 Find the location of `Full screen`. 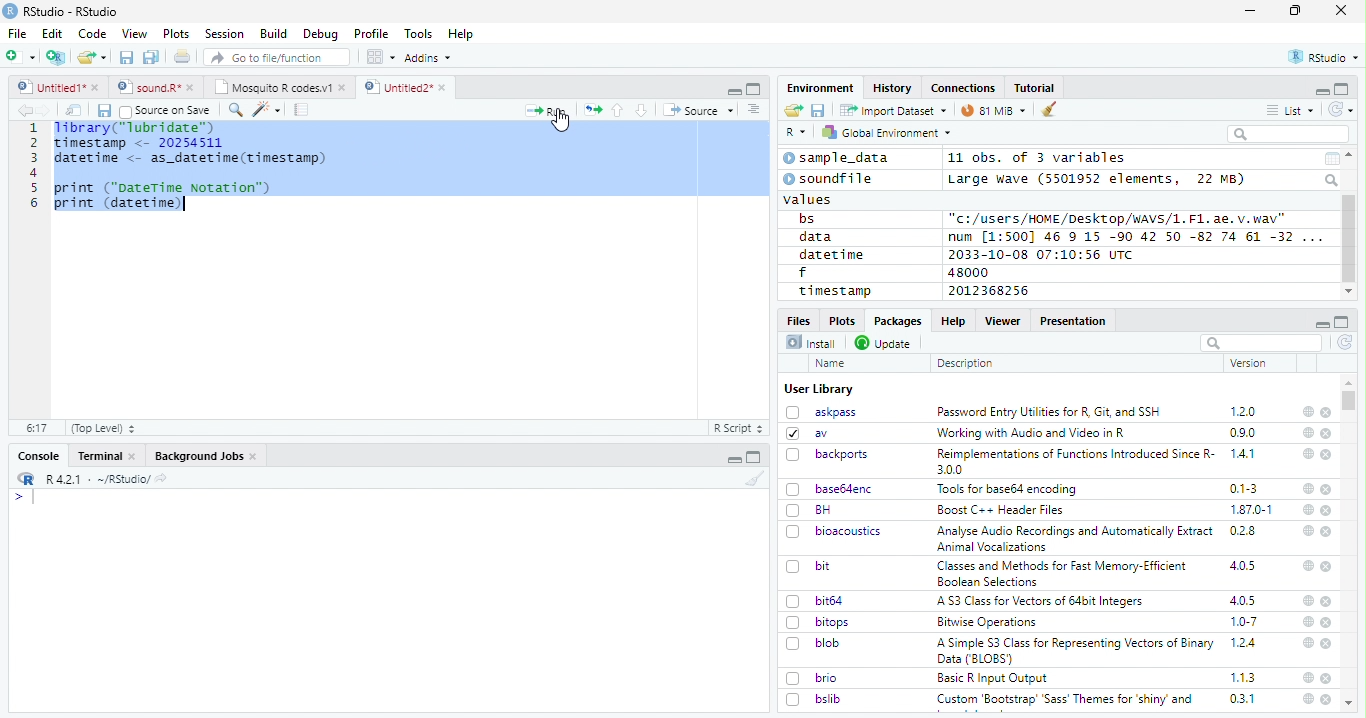

Full screen is located at coordinates (754, 88).